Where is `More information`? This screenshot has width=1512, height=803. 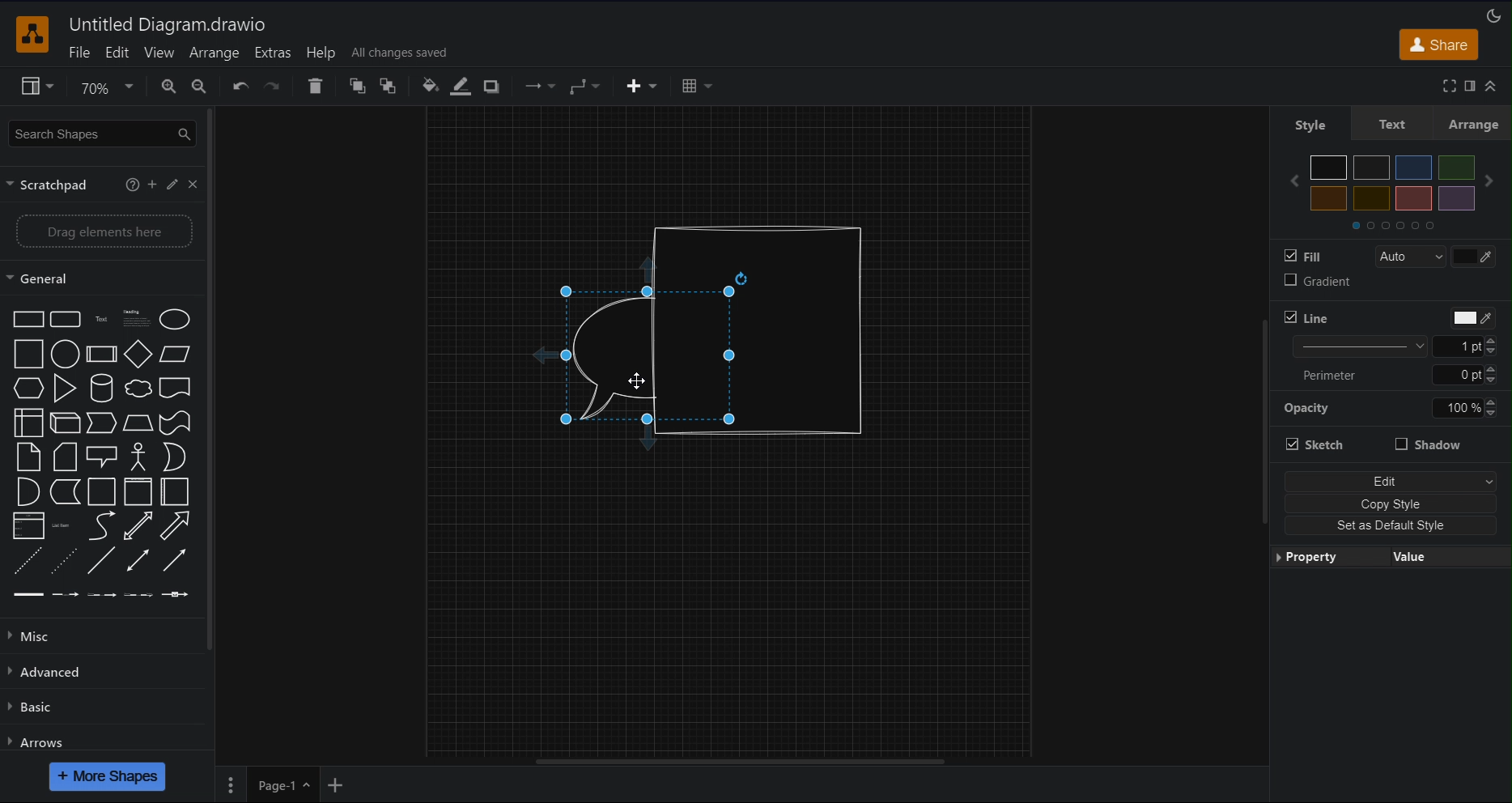
More information is located at coordinates (133, 185).